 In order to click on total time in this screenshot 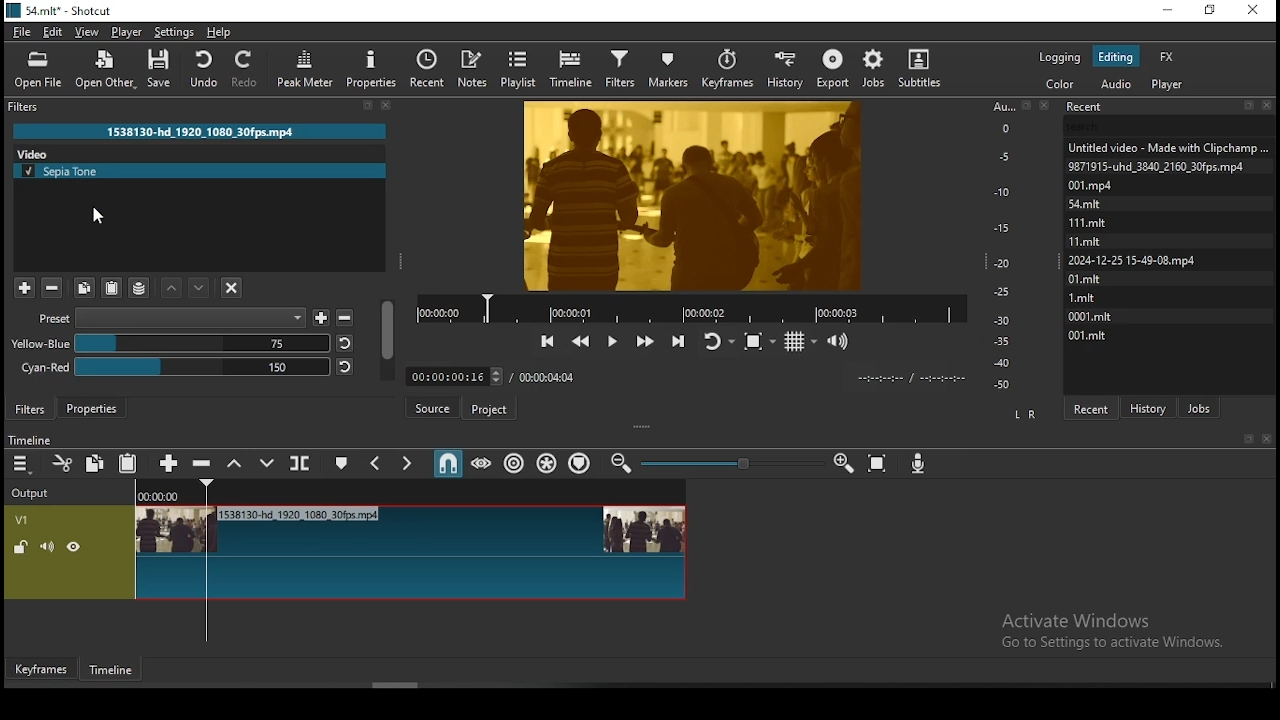, I will do `click(547, 376)`.